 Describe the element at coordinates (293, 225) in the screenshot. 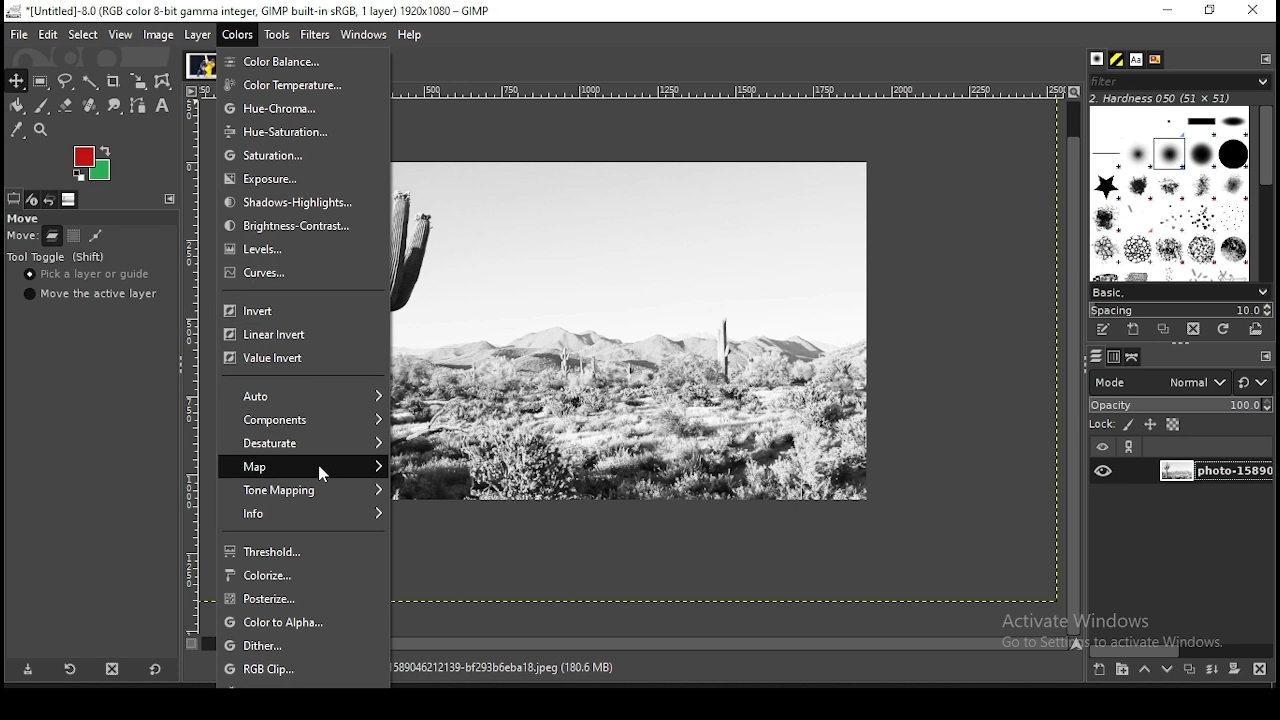

I see `brightness contrast` at that location.